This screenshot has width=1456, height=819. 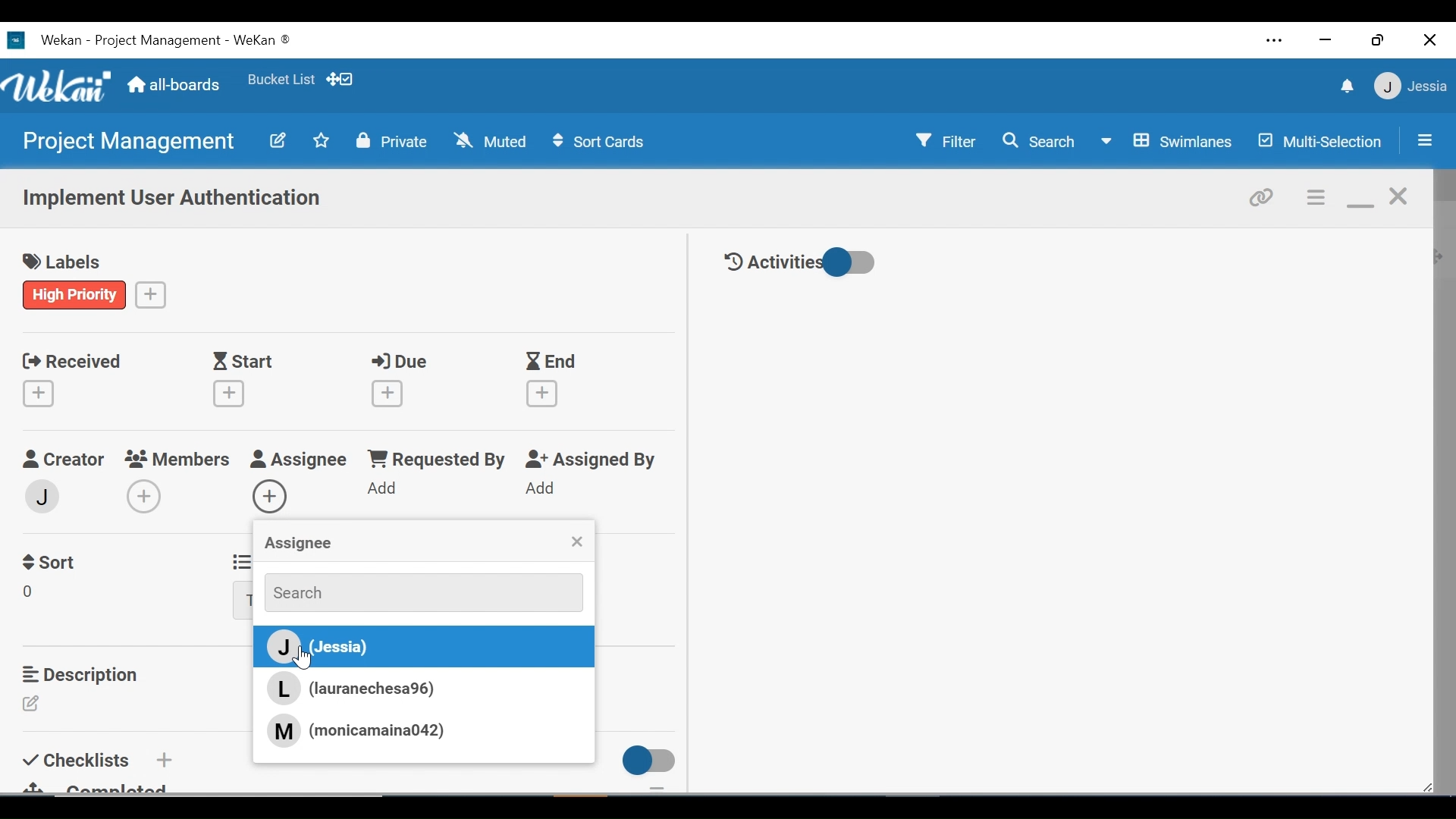 I want to click on Card actions, so click(x=1317, y=198).